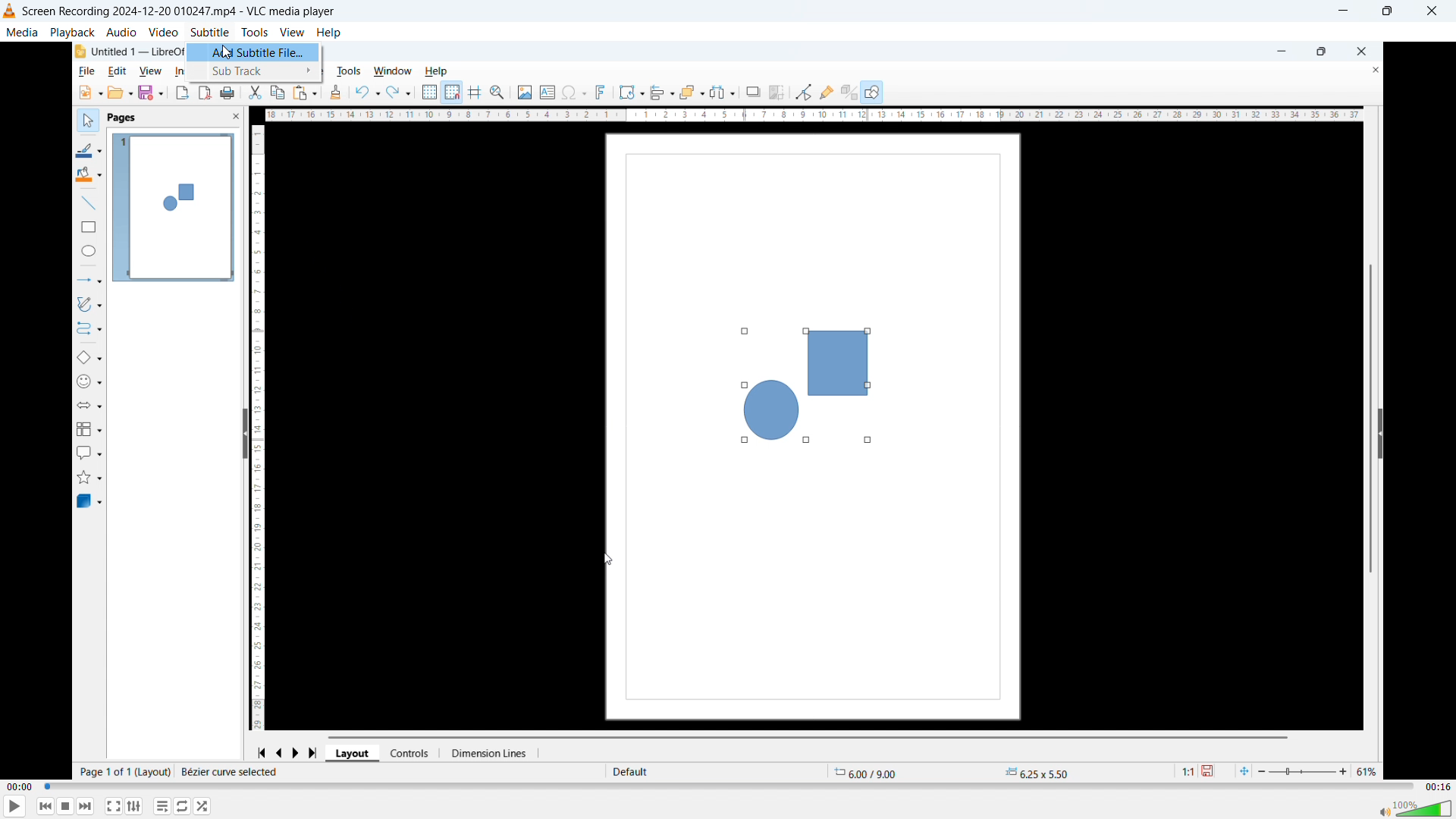 This screenshot has width=1456, height=819. What do you see at coordinates (203, 806) in the screenshot?
I see `Random ` at bounding box center [203, 806].